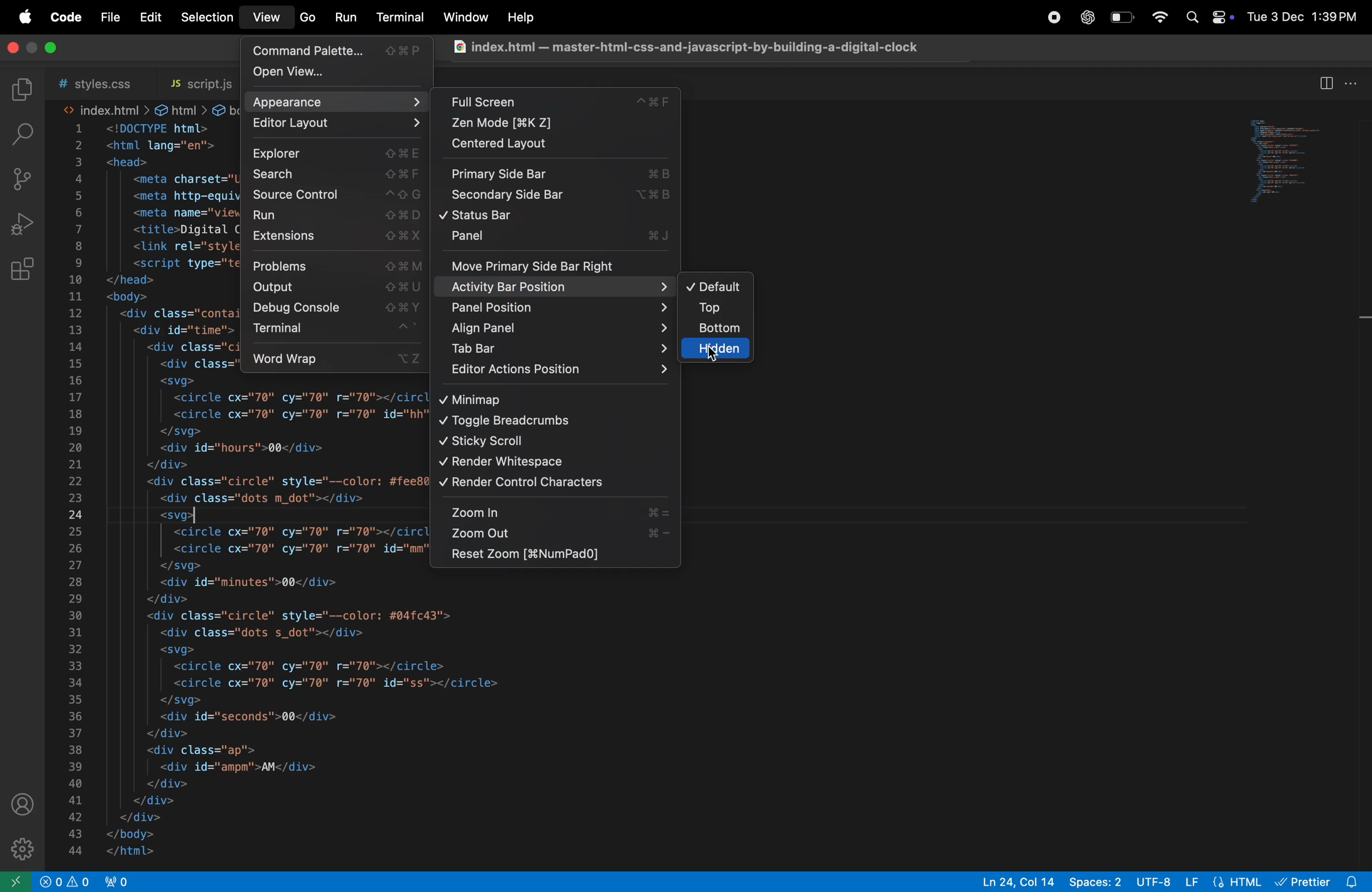 Image resolution: width=1372 pixels, height=892 pixels. I want to click on searchbar, so click(20, 133).